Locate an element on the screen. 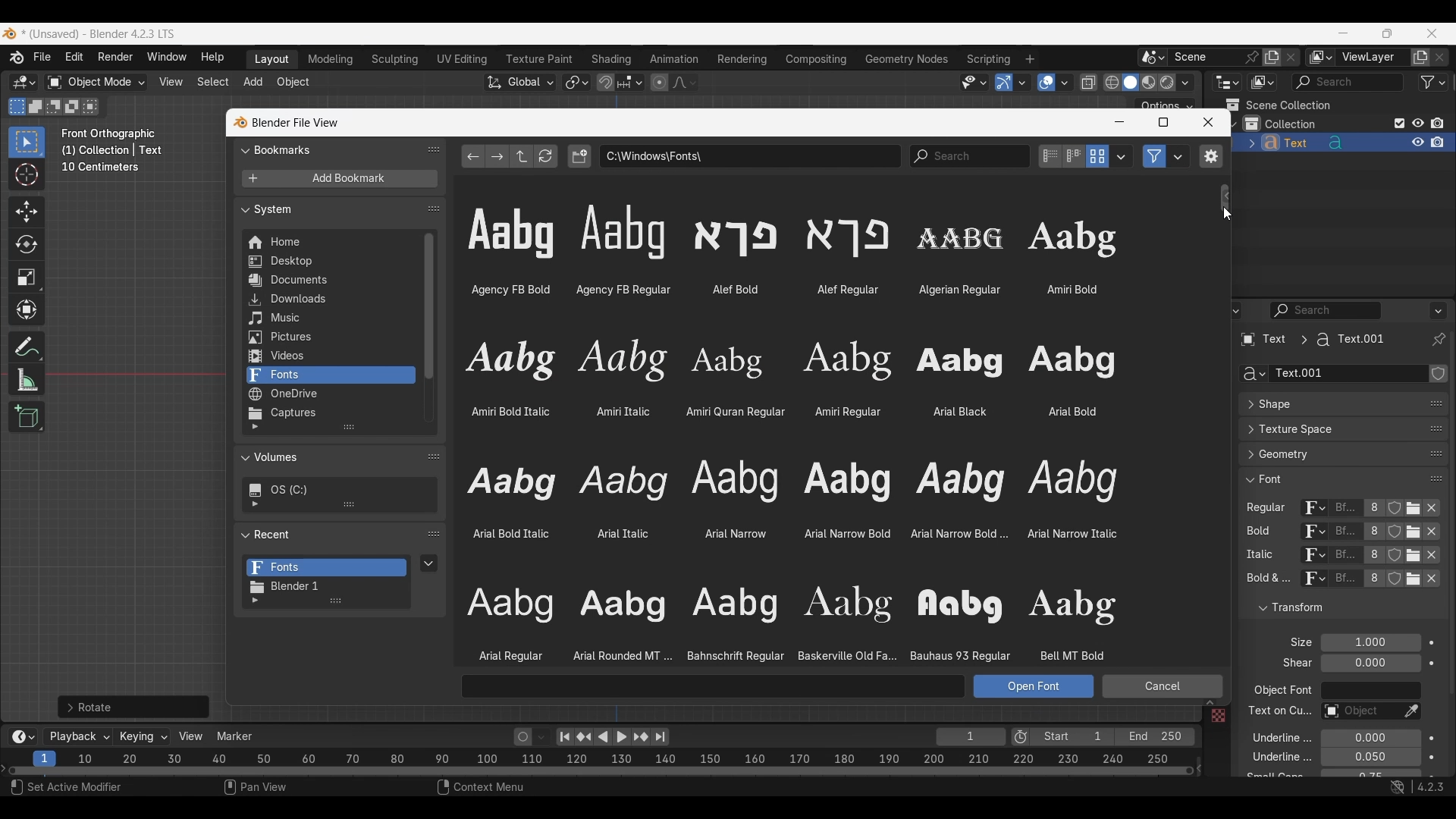 This screenshot has height=819, width=1456. Play animation is located at coordinates (611, 737).